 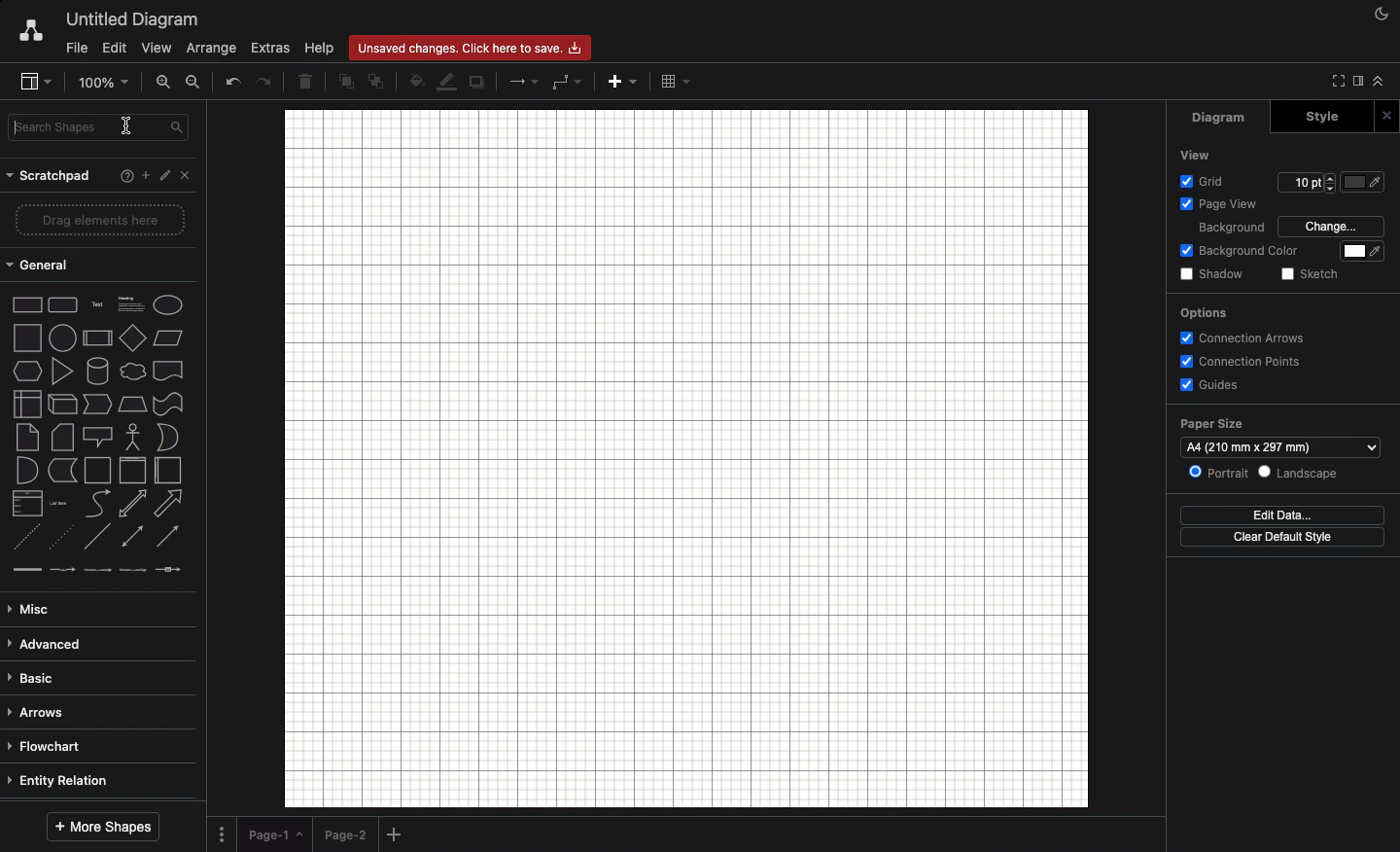 What do you see at coordinates (1241, 363) in the screenshot?
I see `Connection points` at bounding box center [1241, 363].